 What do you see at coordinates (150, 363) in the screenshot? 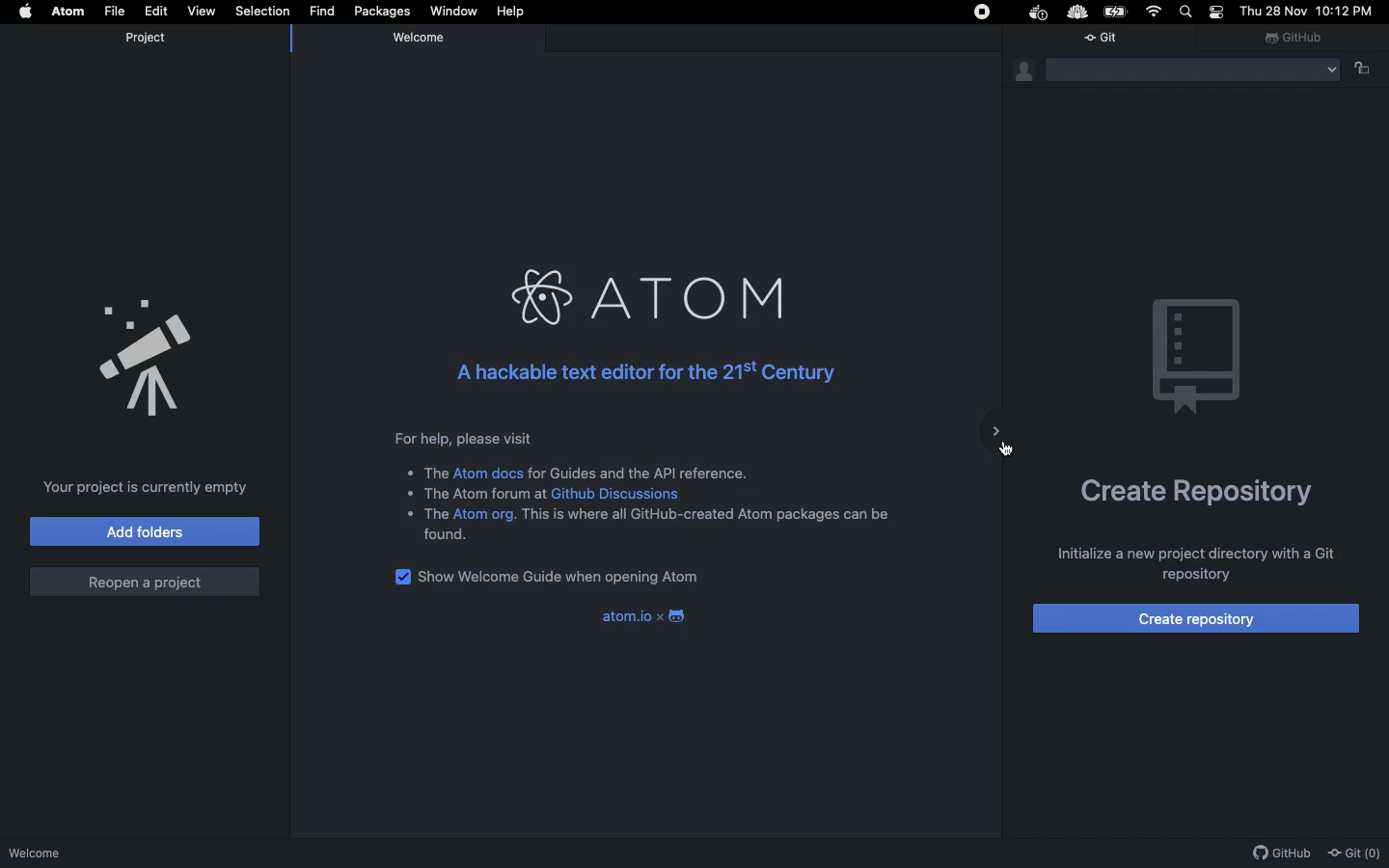
I see `Emblem` at bounding box center [150, 363].